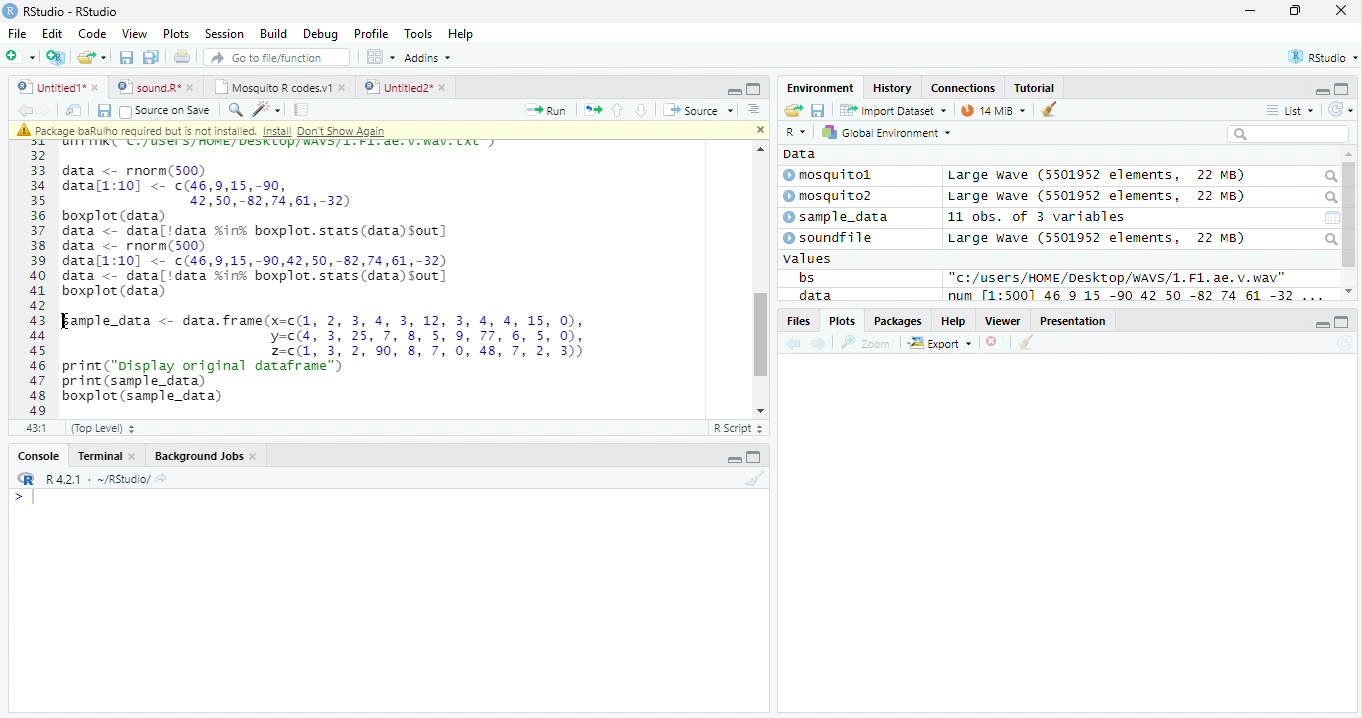  I want to click on Session, so click(224, 33).